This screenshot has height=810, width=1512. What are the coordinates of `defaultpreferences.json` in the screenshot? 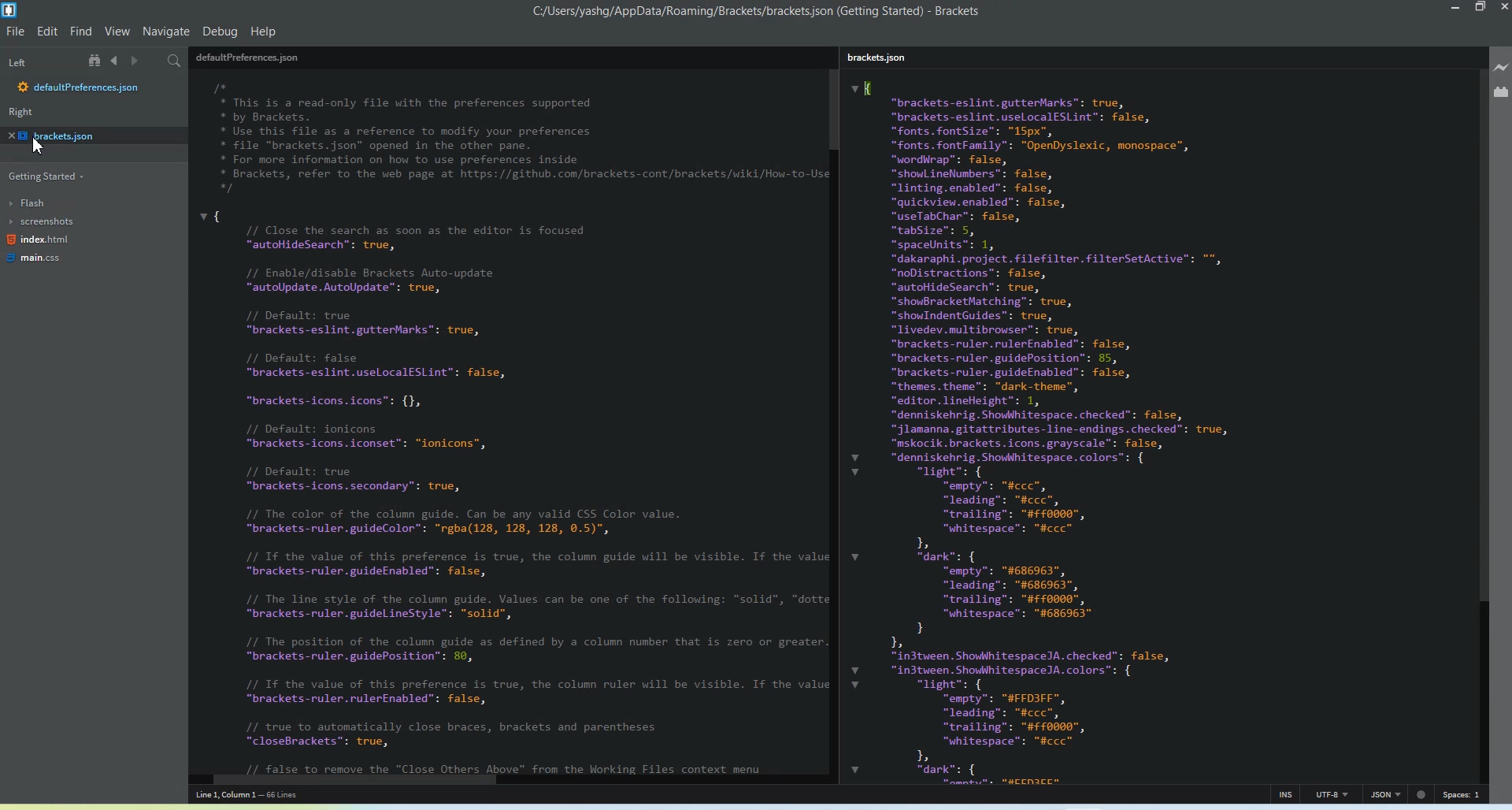 It's located at (80, 88).